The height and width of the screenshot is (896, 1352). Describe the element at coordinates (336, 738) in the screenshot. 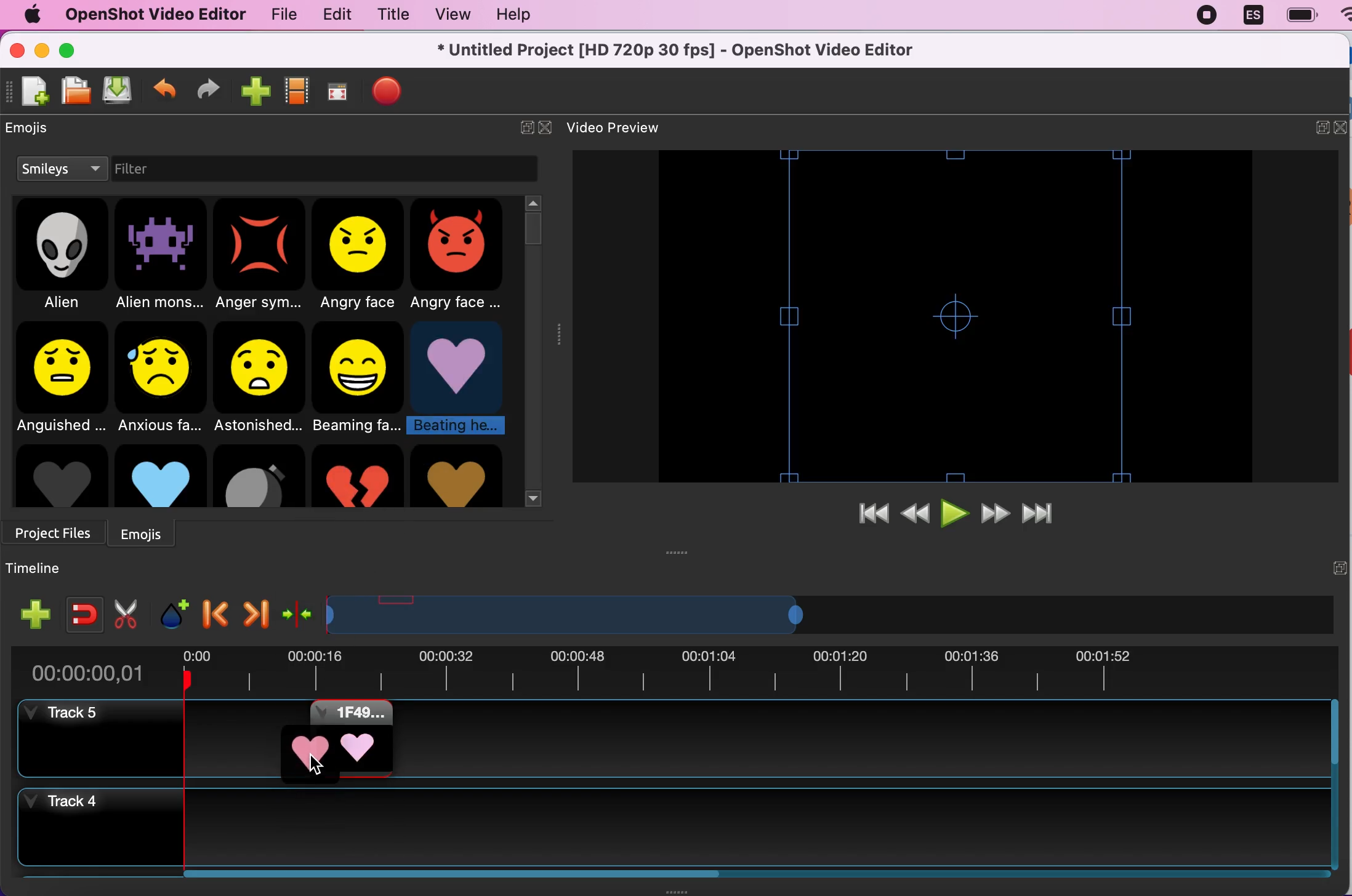

I see `emoji added to timeline` at that location.